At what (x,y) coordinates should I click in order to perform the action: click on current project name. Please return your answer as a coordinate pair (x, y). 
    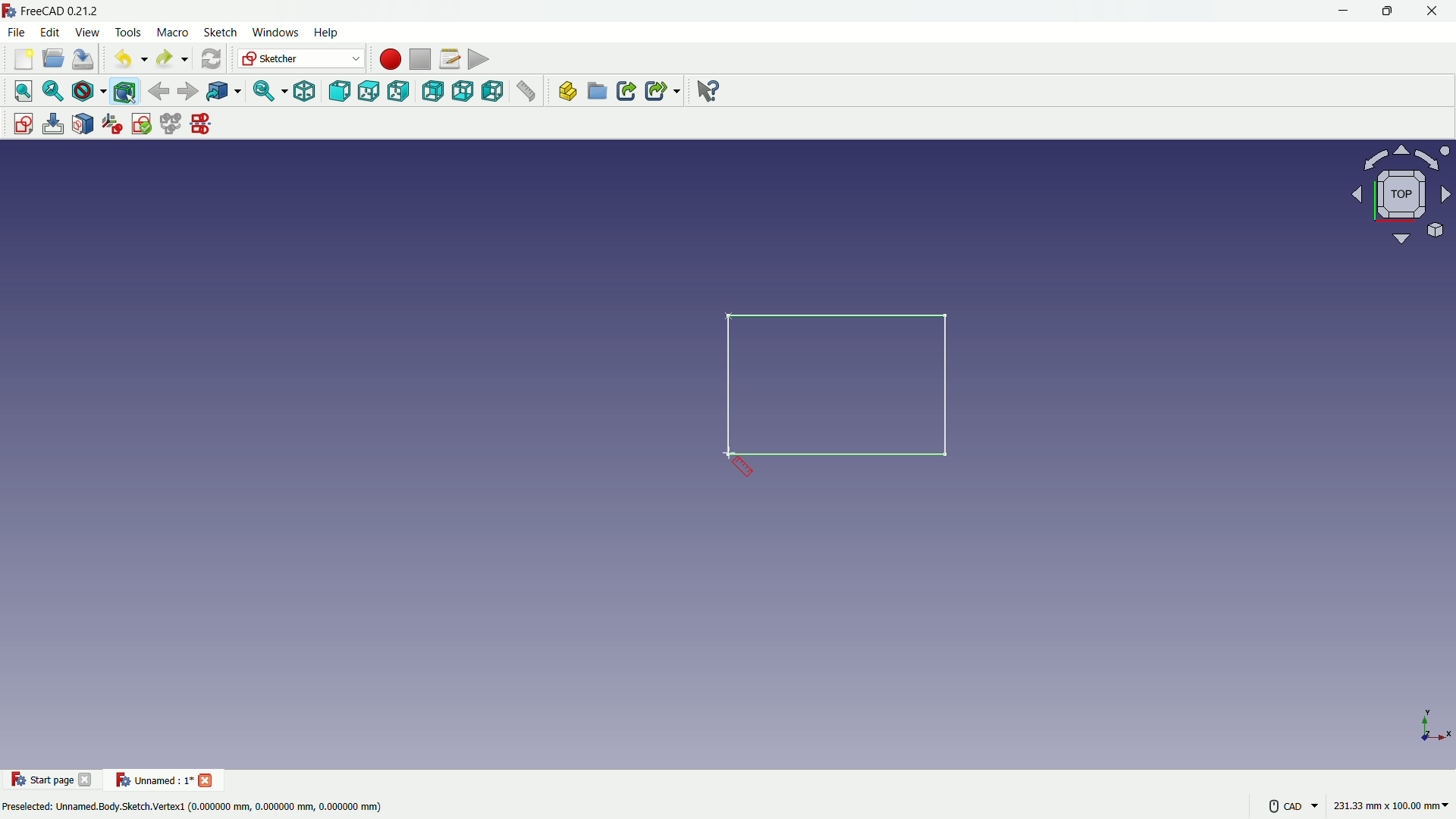
    Looking at the image, I should click on (152, 780).